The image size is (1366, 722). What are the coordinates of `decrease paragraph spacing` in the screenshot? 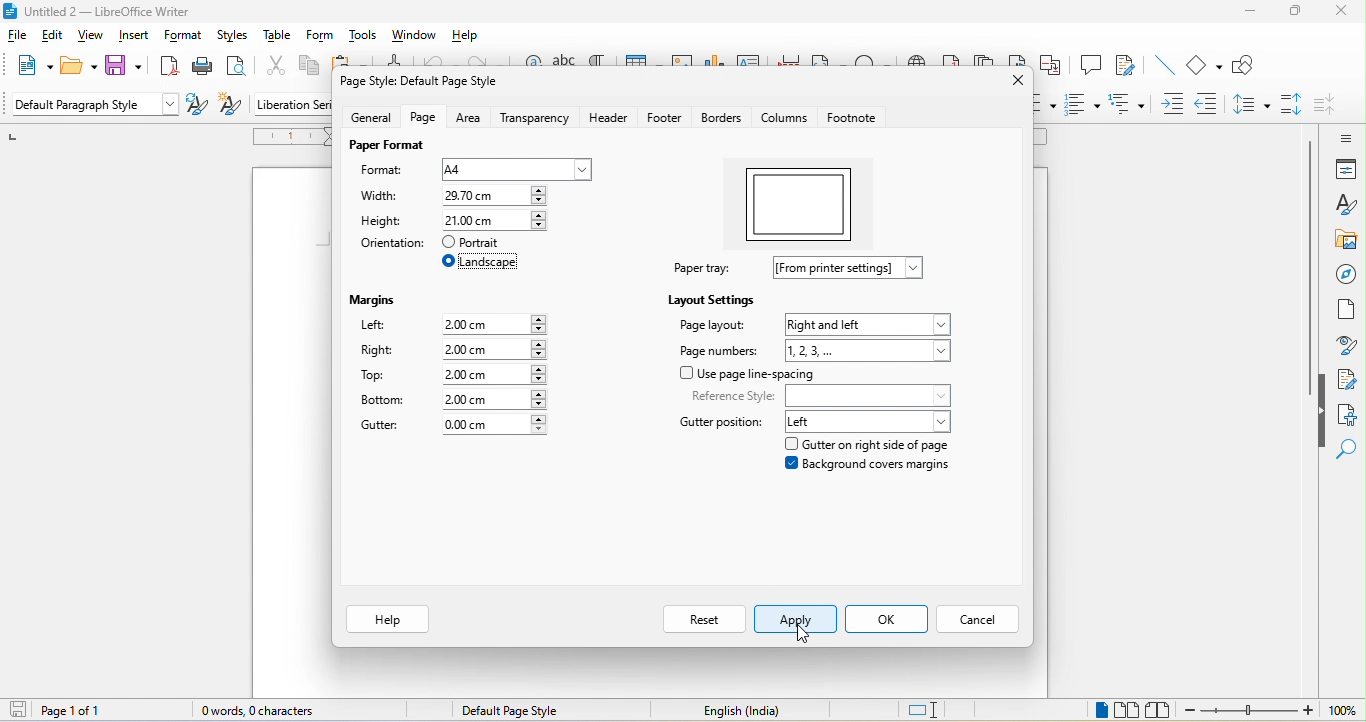 It's located at (1332, 102).